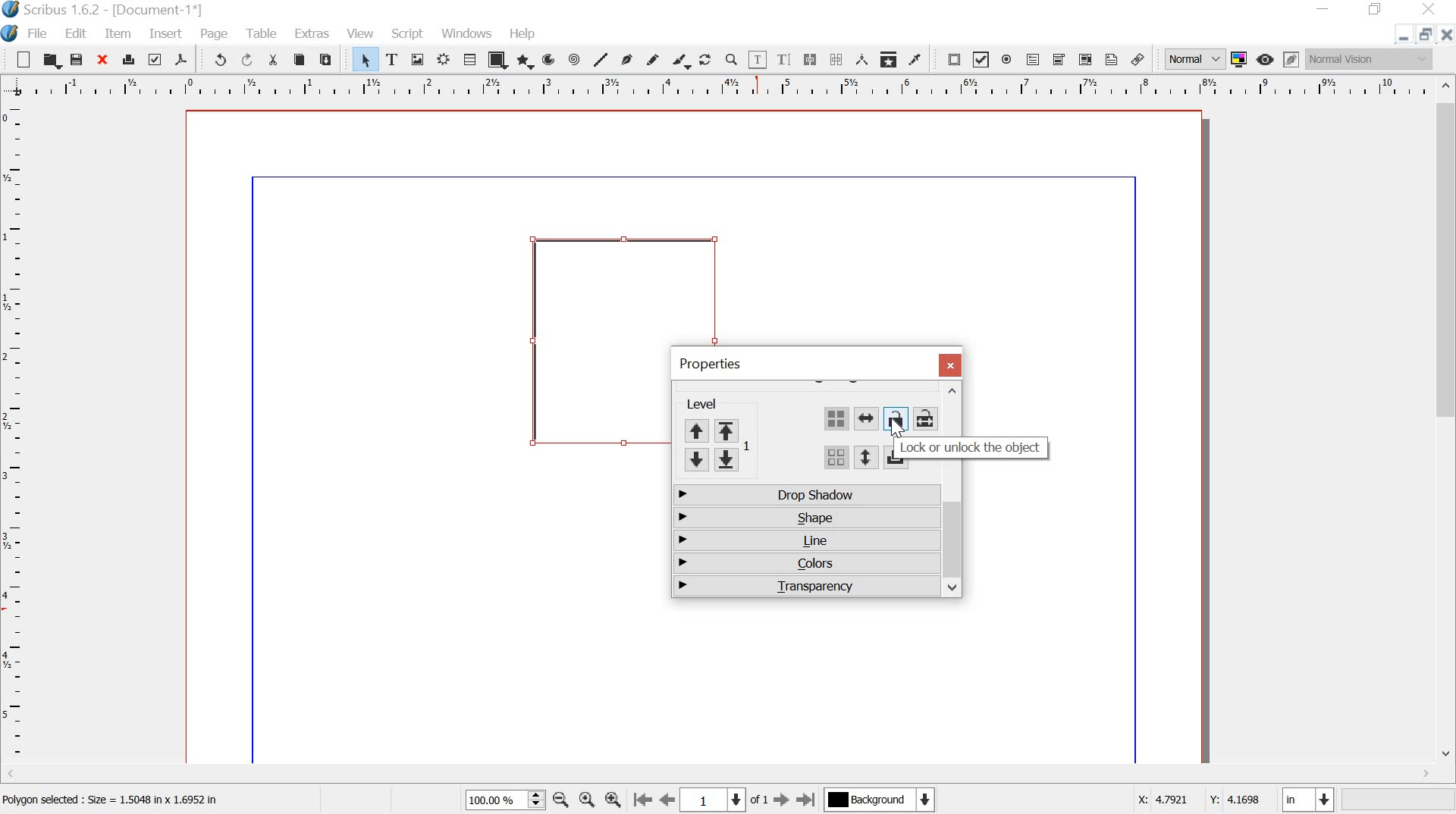 This screenshot has height=814, width=1456. What do you see at coordinates (731, 61) in the screenshot?
I see `zoom in or out` at bounding box center [731, 61].